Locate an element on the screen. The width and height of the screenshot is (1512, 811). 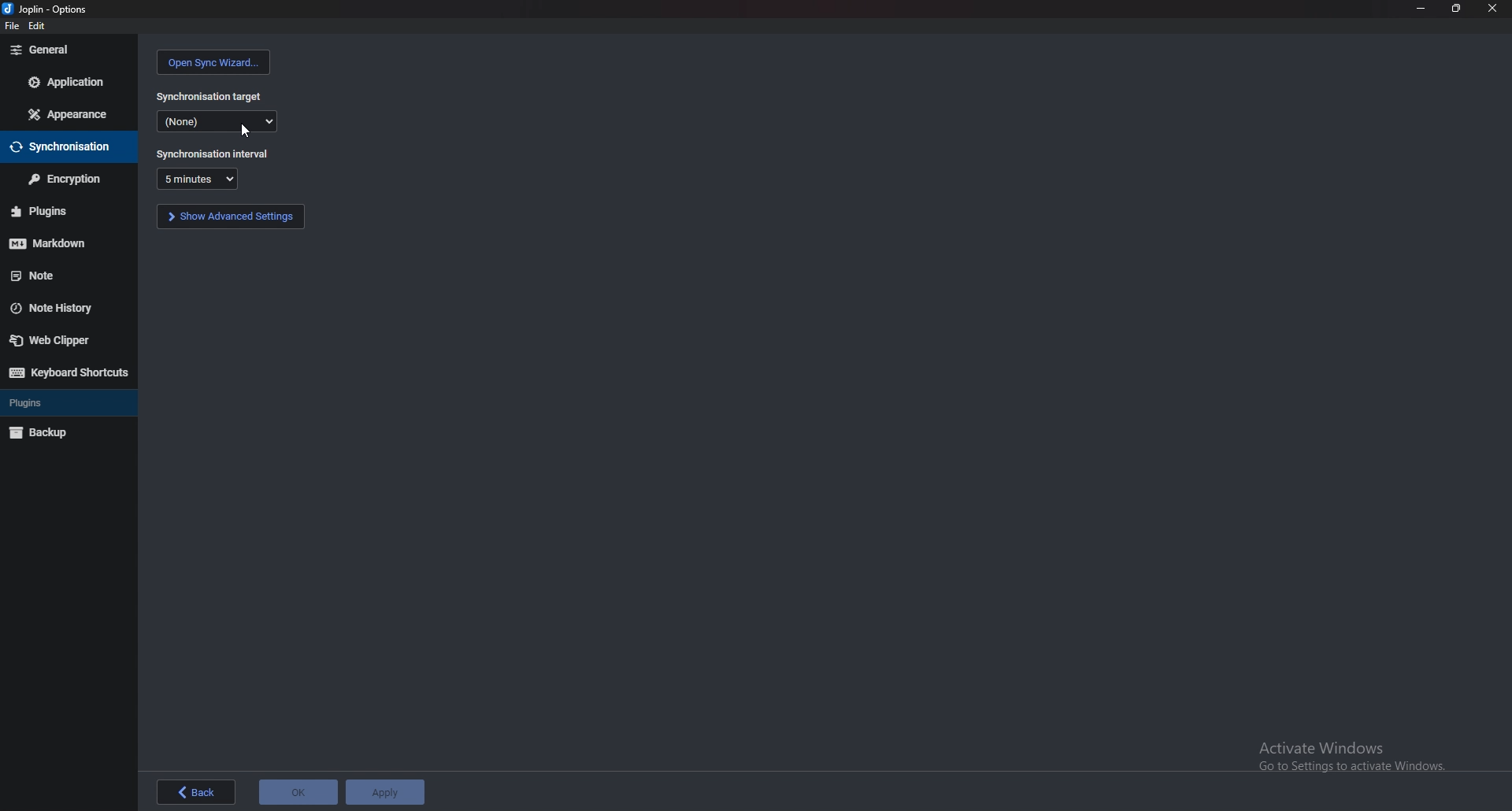
Activate Windows is located at coordinates (1350, 758).